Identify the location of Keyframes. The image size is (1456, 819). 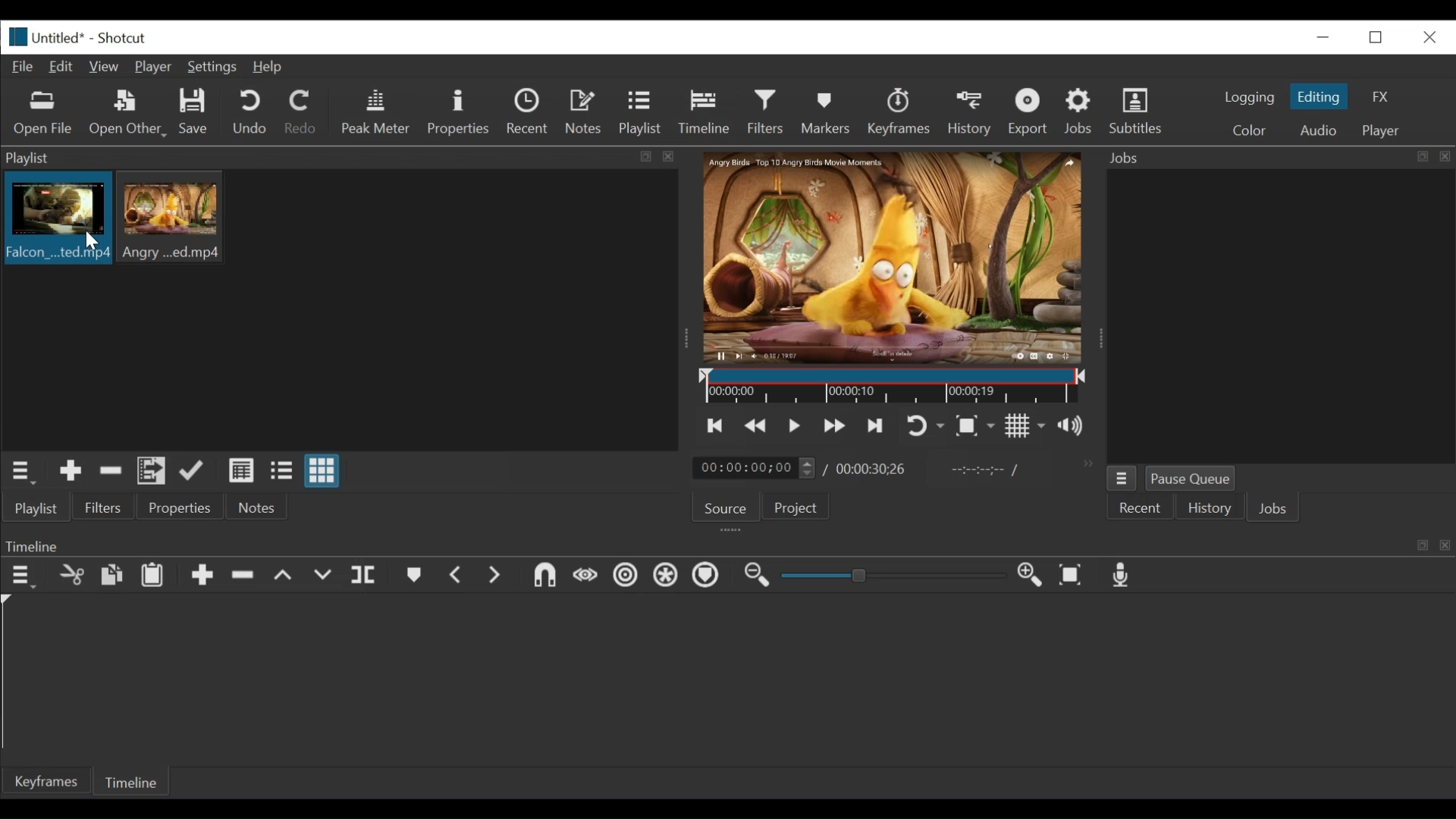
(48, 781).